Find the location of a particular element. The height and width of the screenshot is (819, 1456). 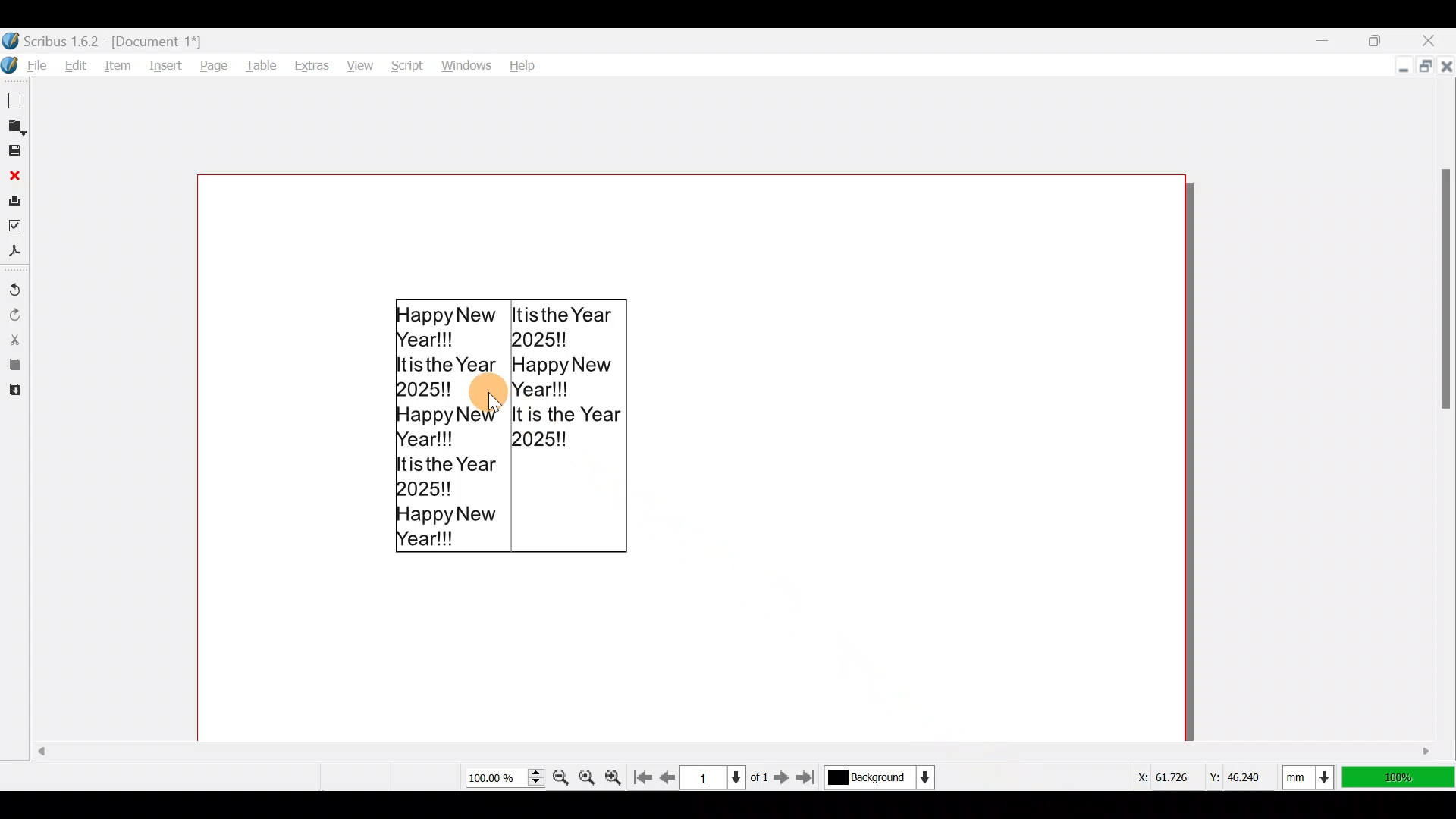

Scroll bar is located at coordinates (613, 746).